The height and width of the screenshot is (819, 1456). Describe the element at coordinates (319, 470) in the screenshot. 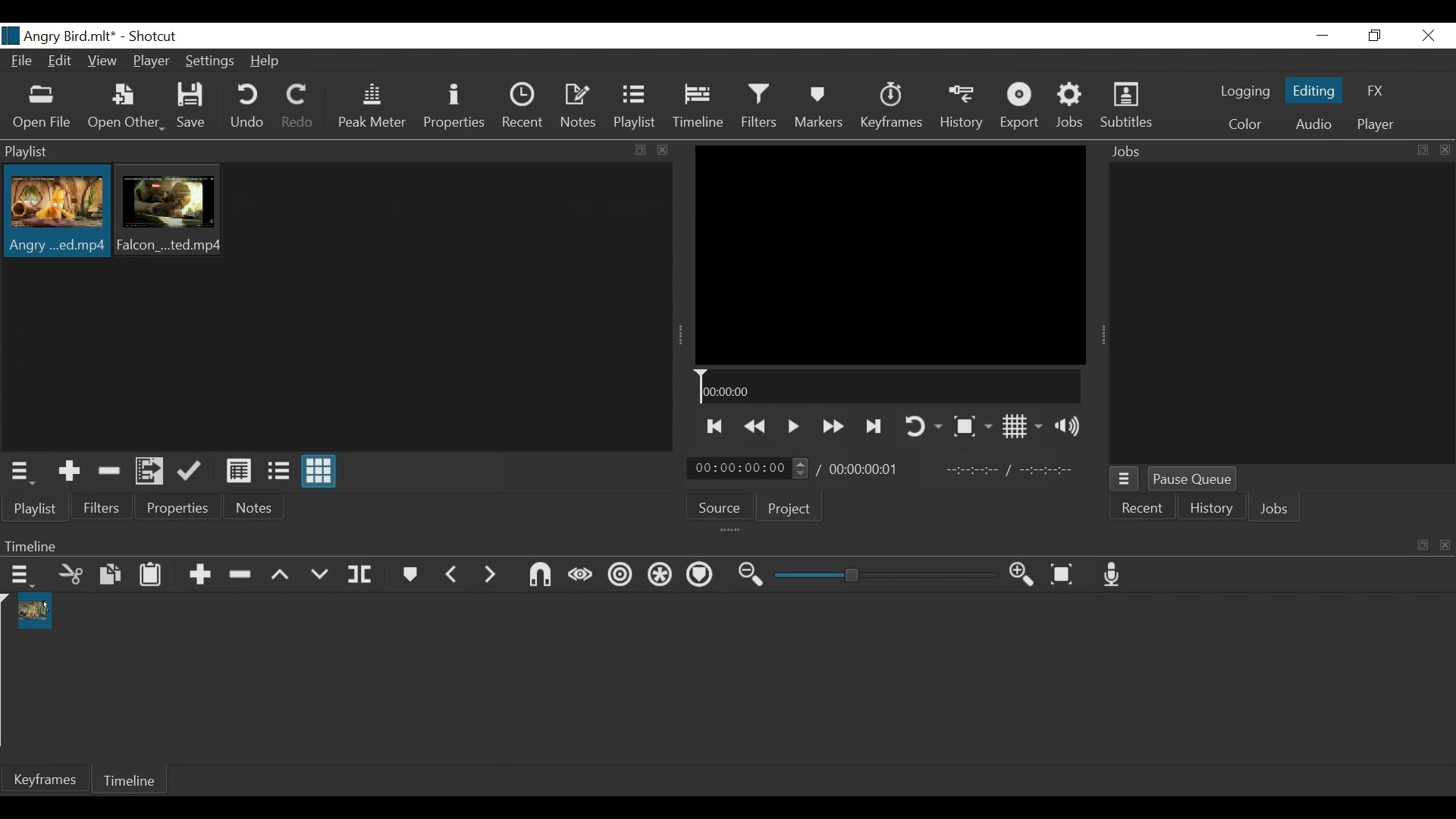

I see `View as icons` at that location.